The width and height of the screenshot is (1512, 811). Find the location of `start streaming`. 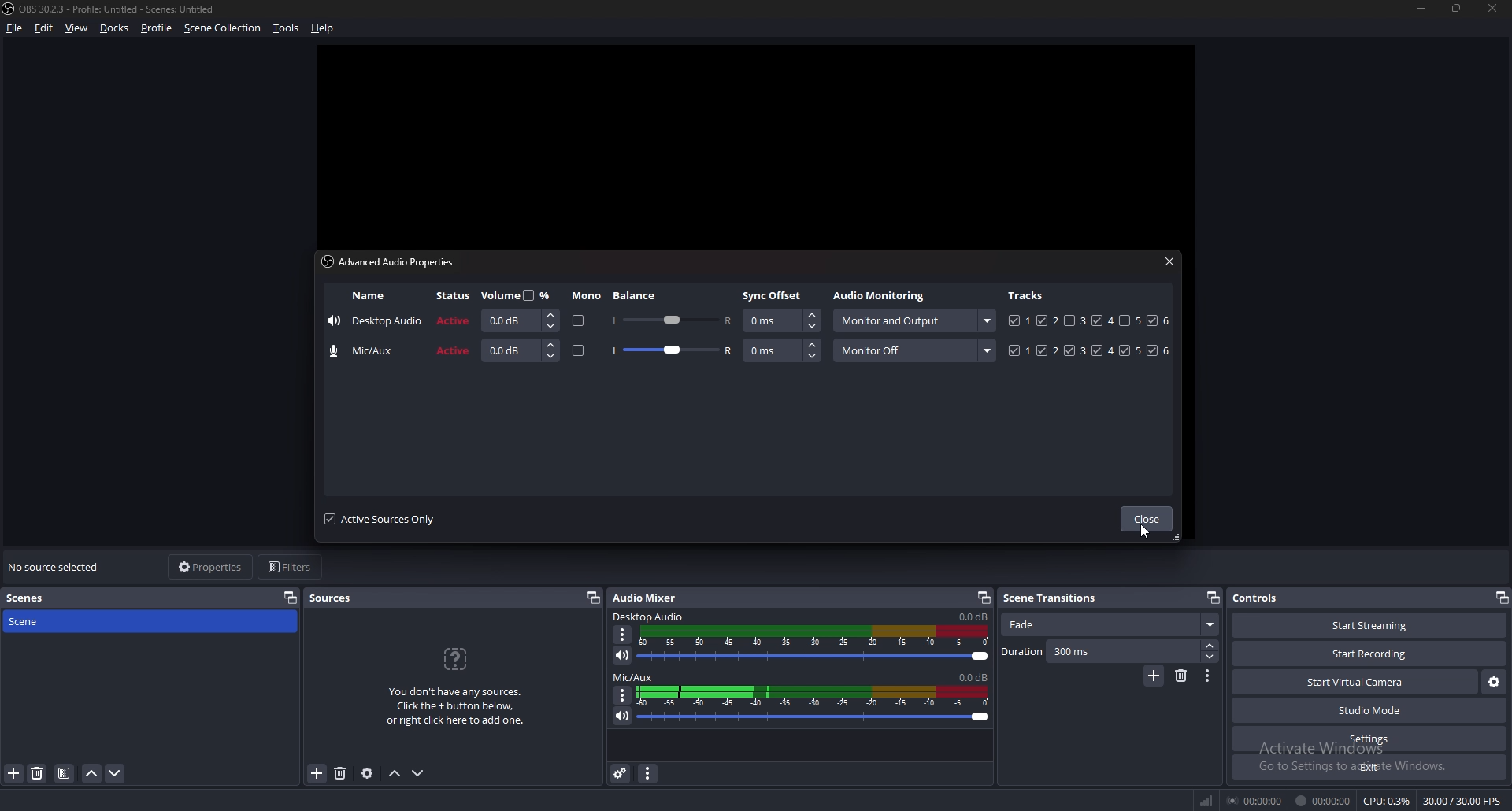

start streaming is located at coordinates (1360, 626).